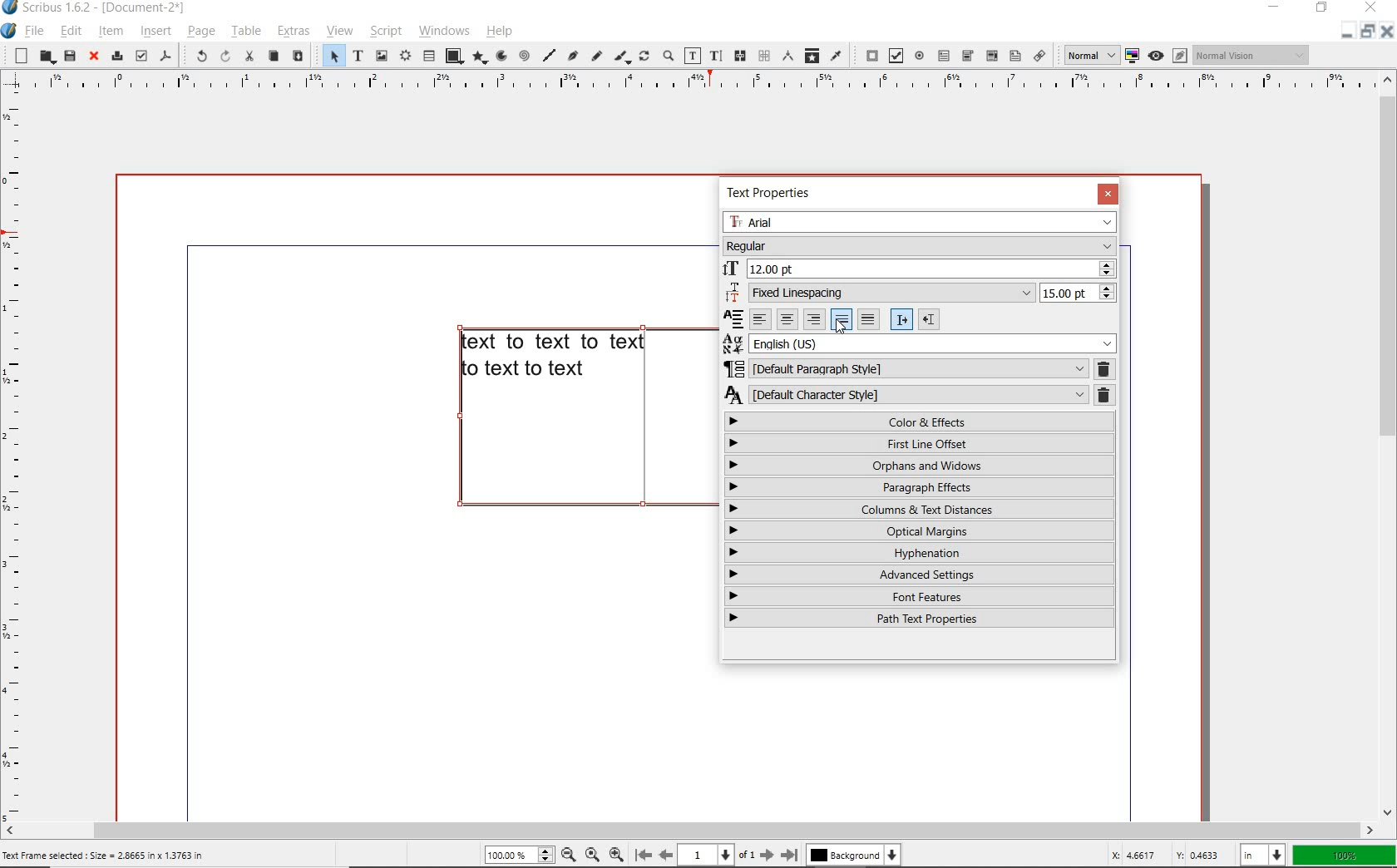 The image size is (1397, 868). Describe the element at coordinates (1261, 854) in the screenshot. I see `select unit` at that location.